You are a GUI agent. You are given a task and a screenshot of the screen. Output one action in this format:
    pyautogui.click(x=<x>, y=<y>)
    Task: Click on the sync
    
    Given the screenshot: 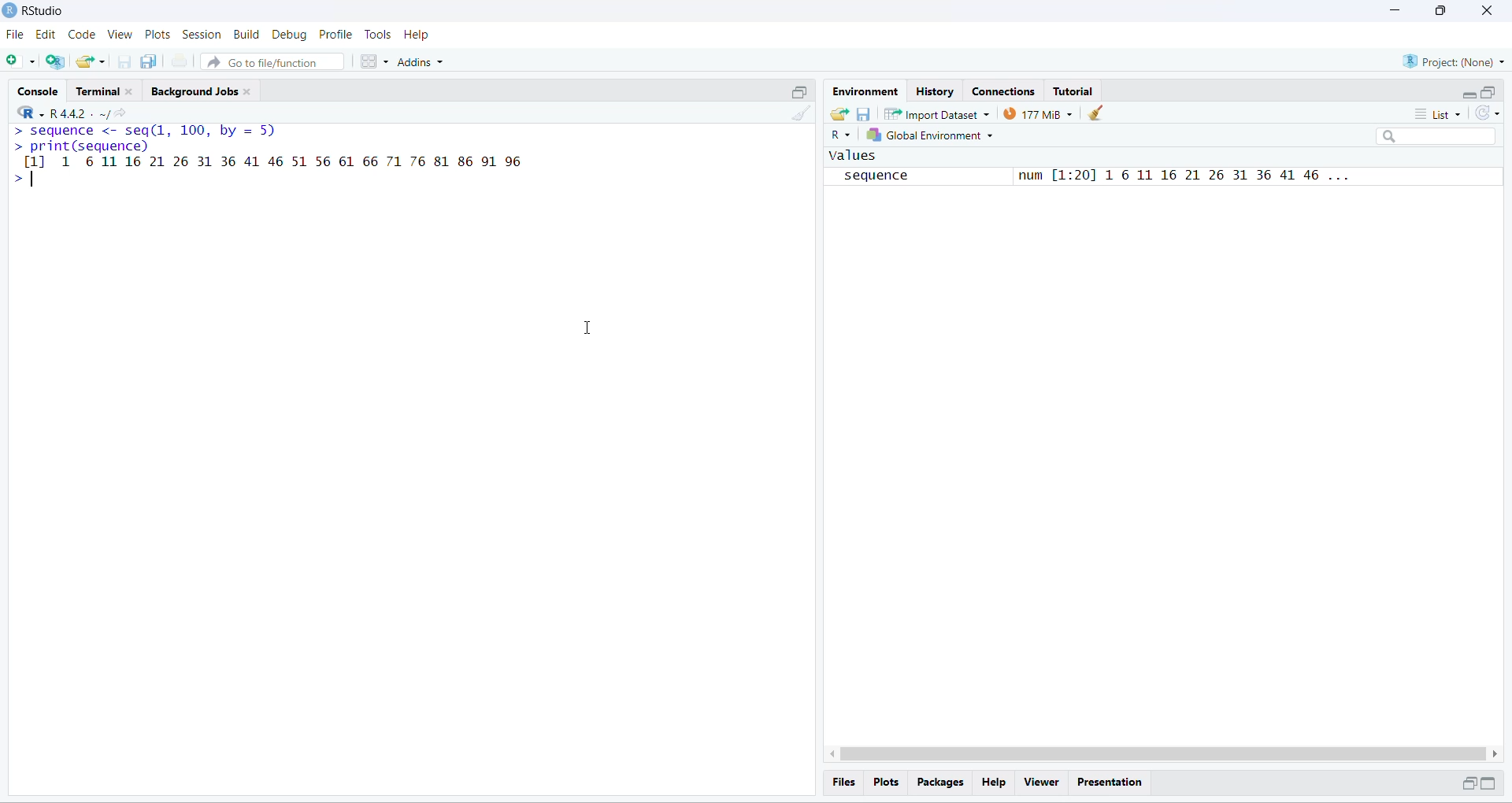 What is the action you would take?
    pyautogui.click(x=1488, y=113)
    